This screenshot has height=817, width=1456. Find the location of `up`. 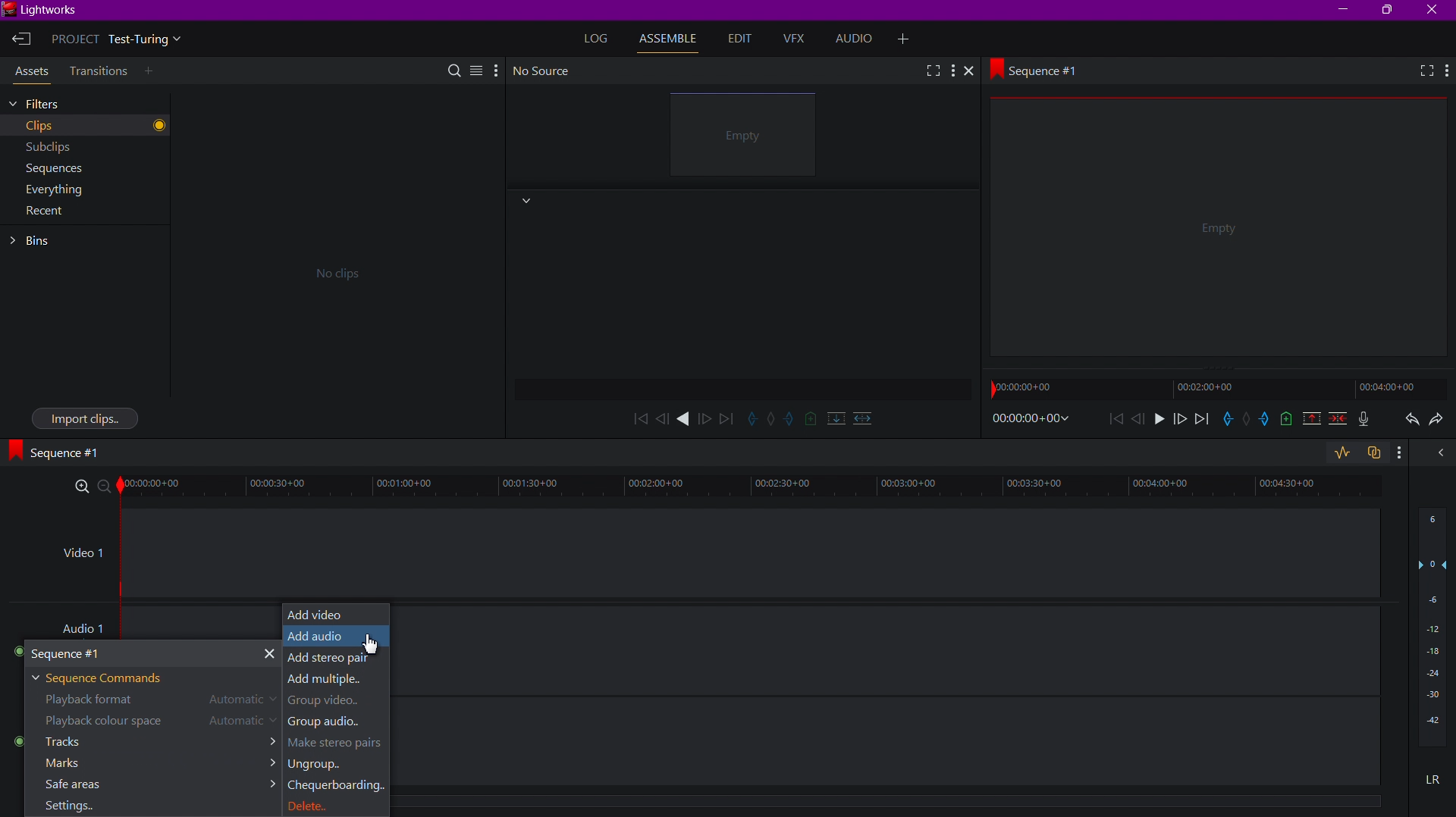

up is located at coordinates (1309, 421).